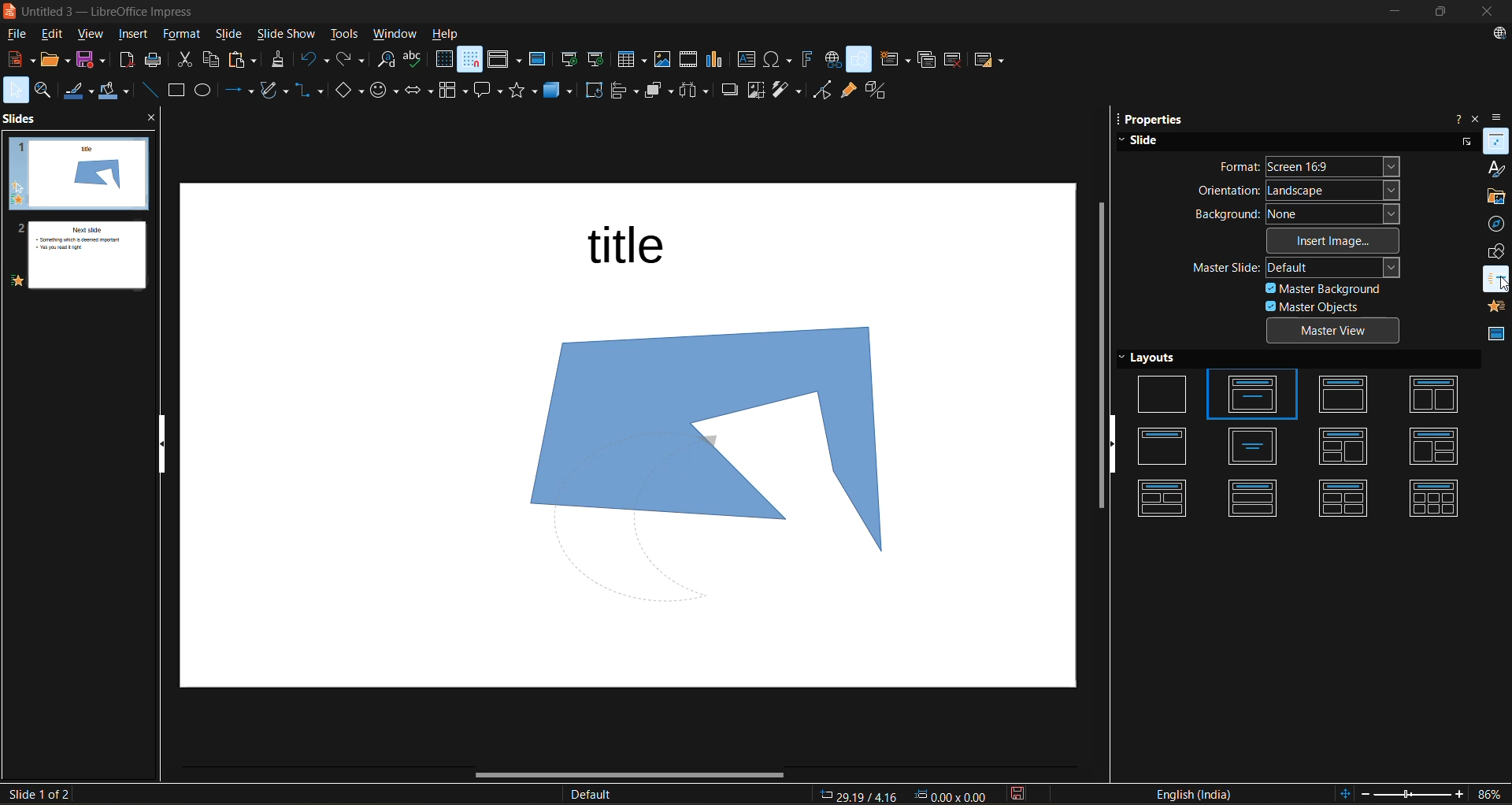 This screenshot has height=805, width=1512. I want to click on slides, so click(22, 121).